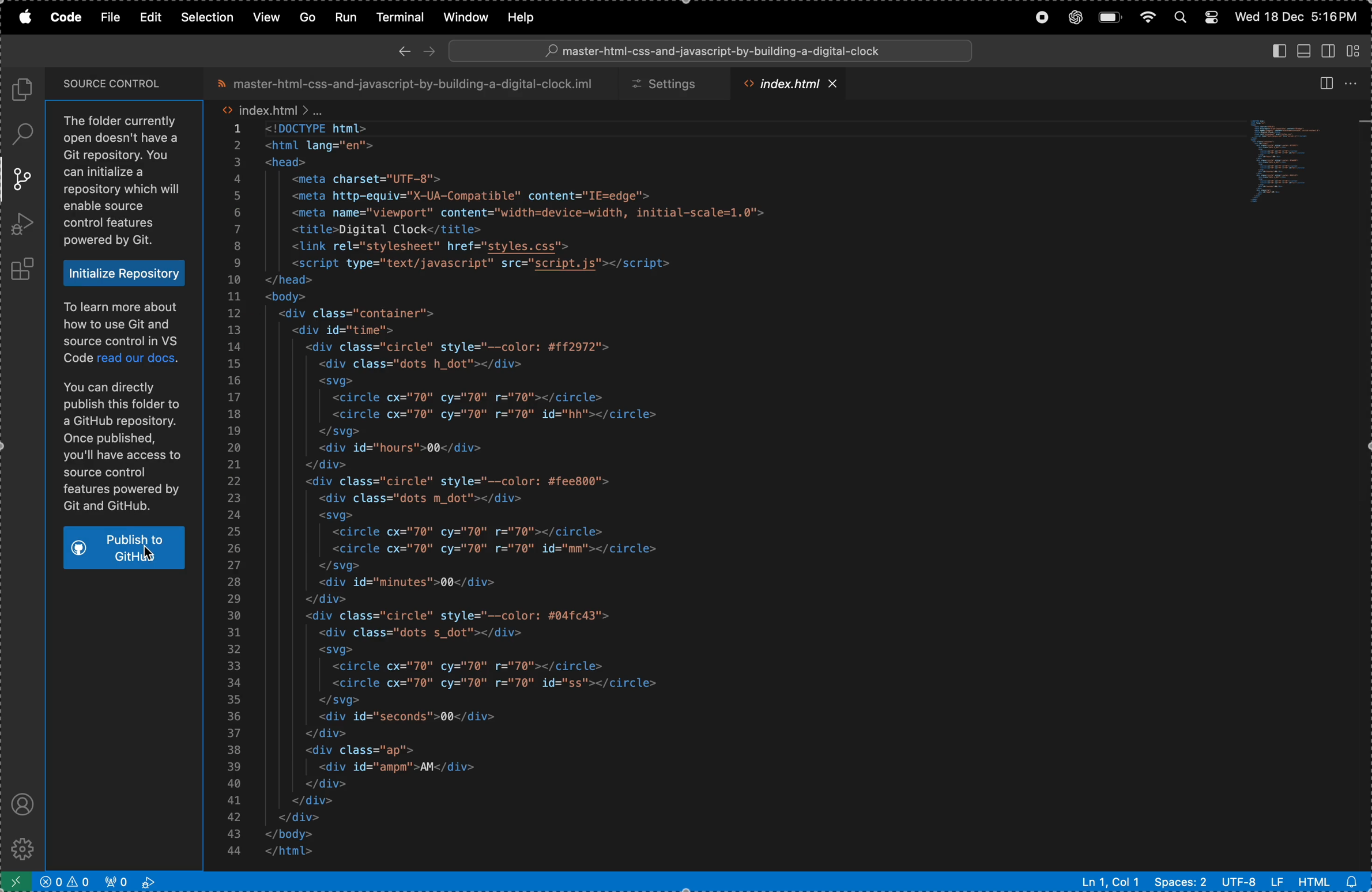  What do you see at coordinates (328, 128) in the screenshot?
I see `<!DOCTYPE html>` at bounding box center [328, 128].